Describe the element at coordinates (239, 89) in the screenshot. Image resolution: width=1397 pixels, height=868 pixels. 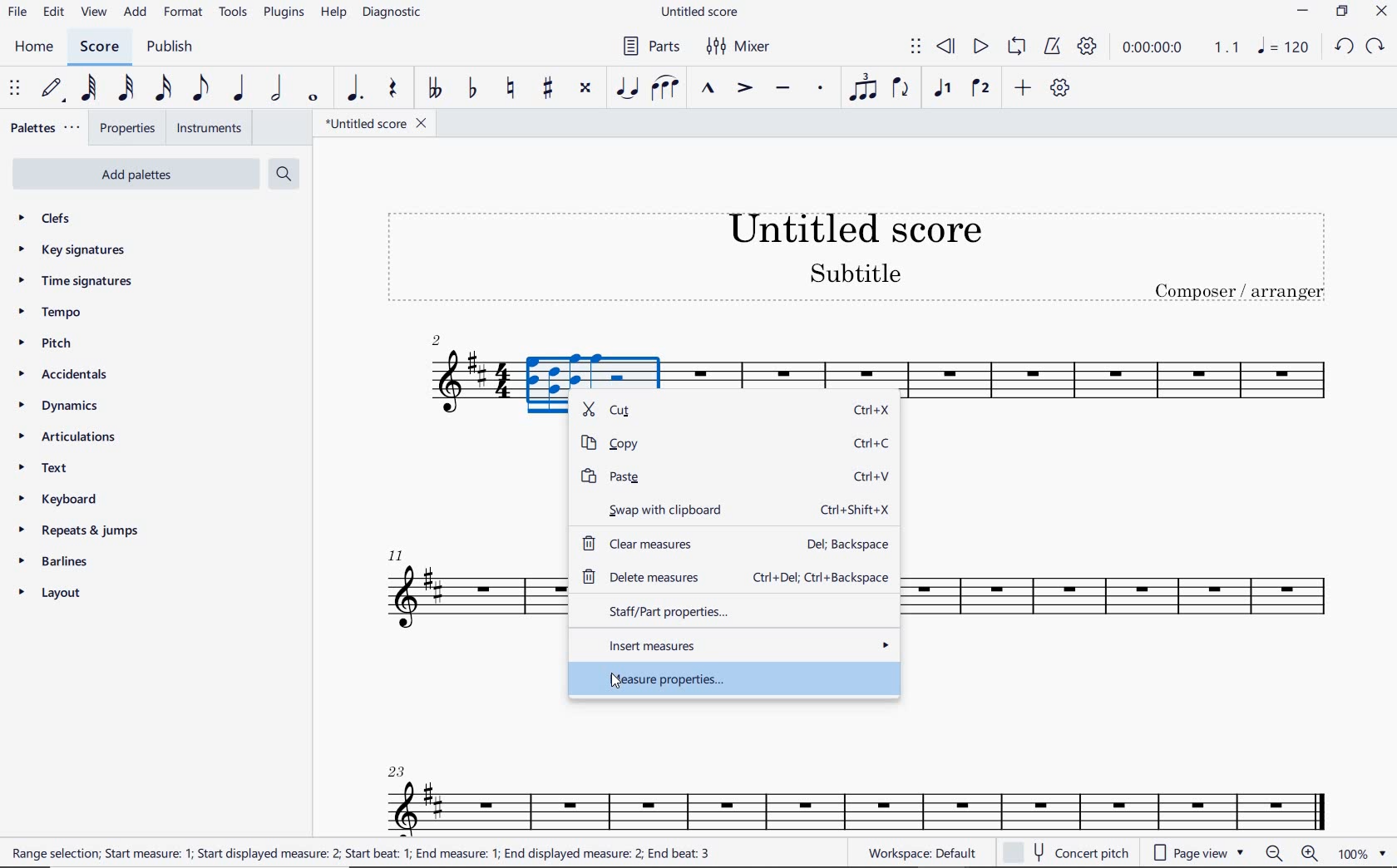
I see `QUARTER NOTE` at that location.